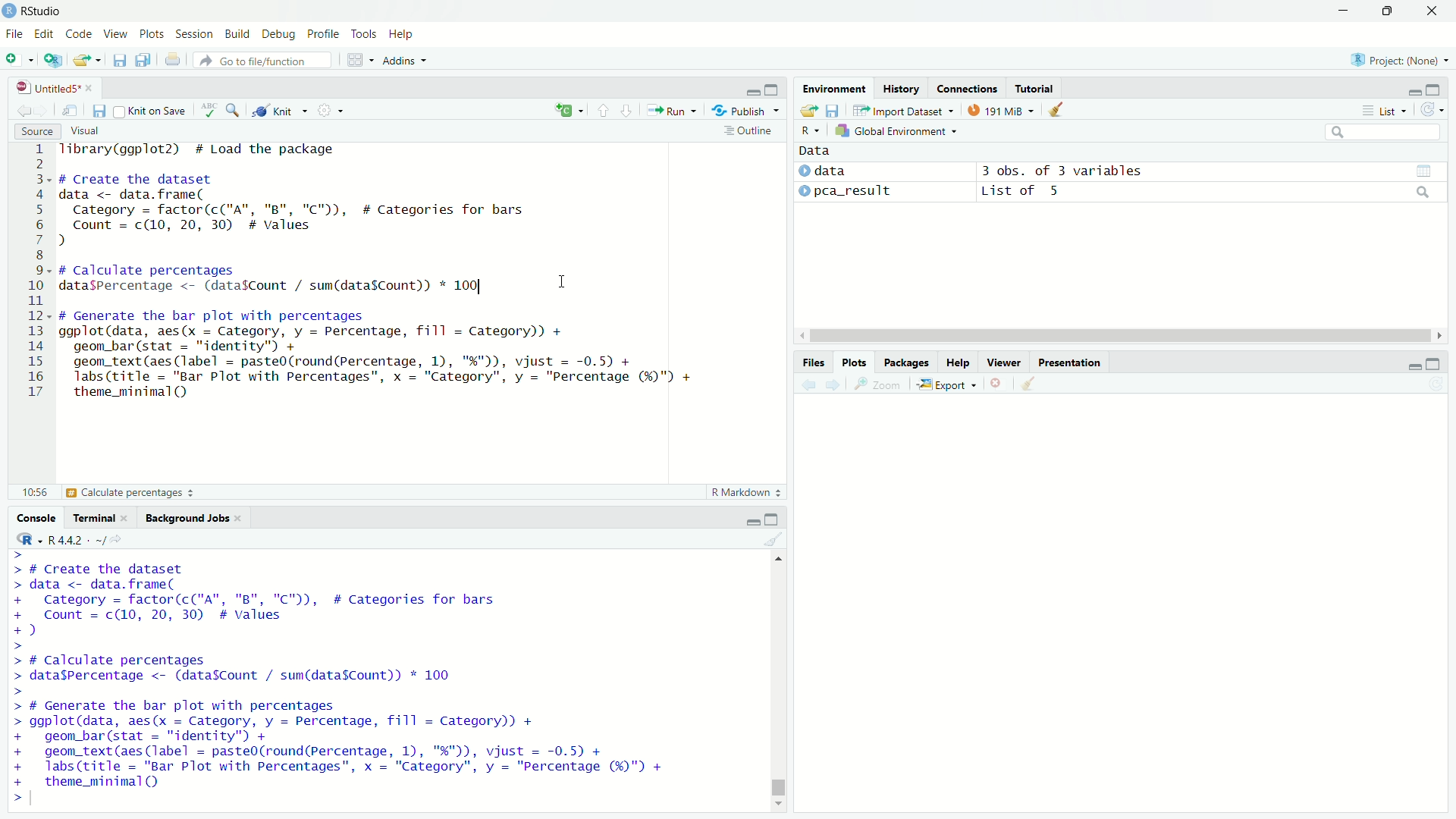 This screenshot has width=1456, height=819. I want to click on background jobs, so click(192, 518).